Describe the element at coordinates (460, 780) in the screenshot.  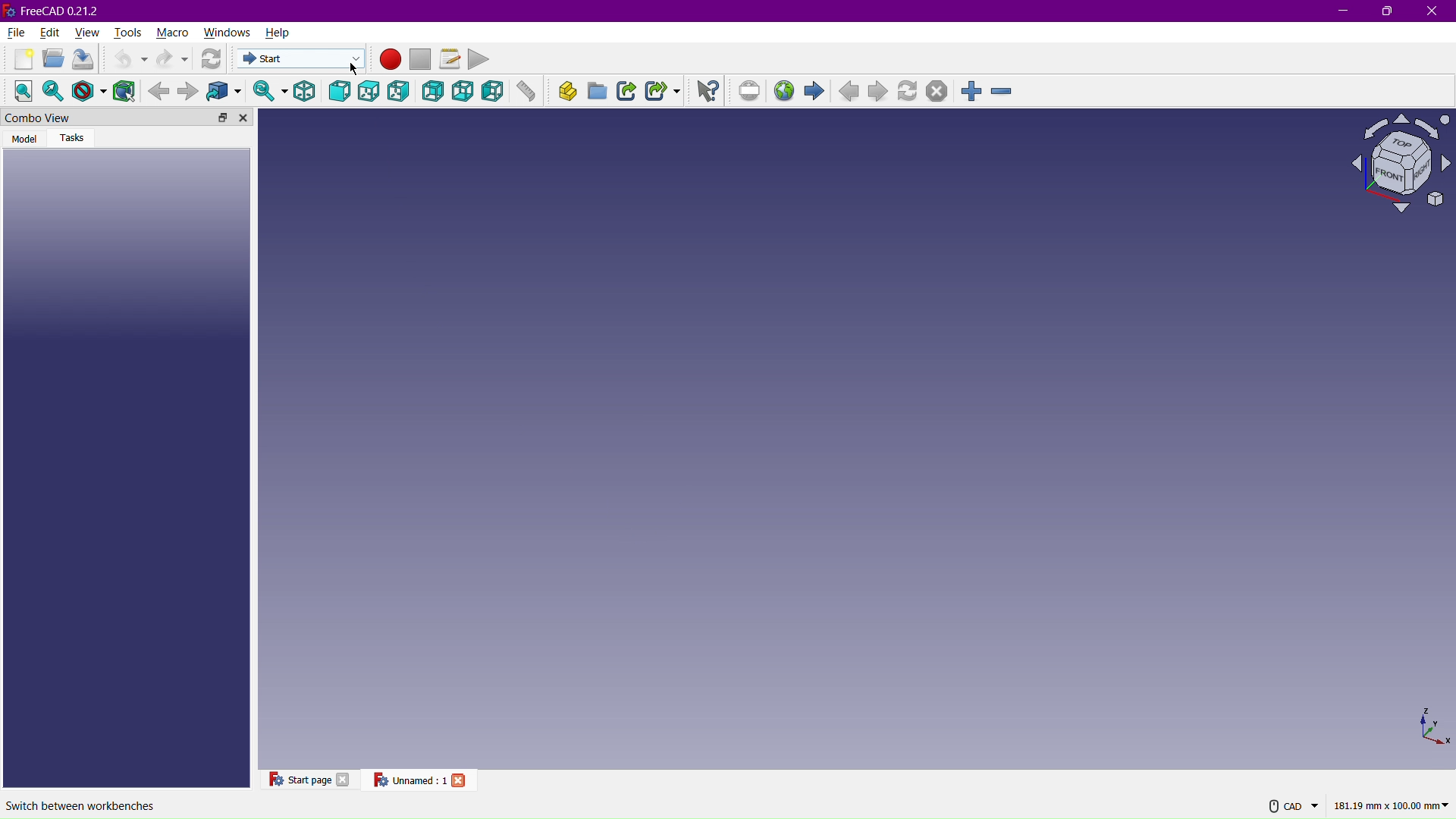
I see `close` at that location.